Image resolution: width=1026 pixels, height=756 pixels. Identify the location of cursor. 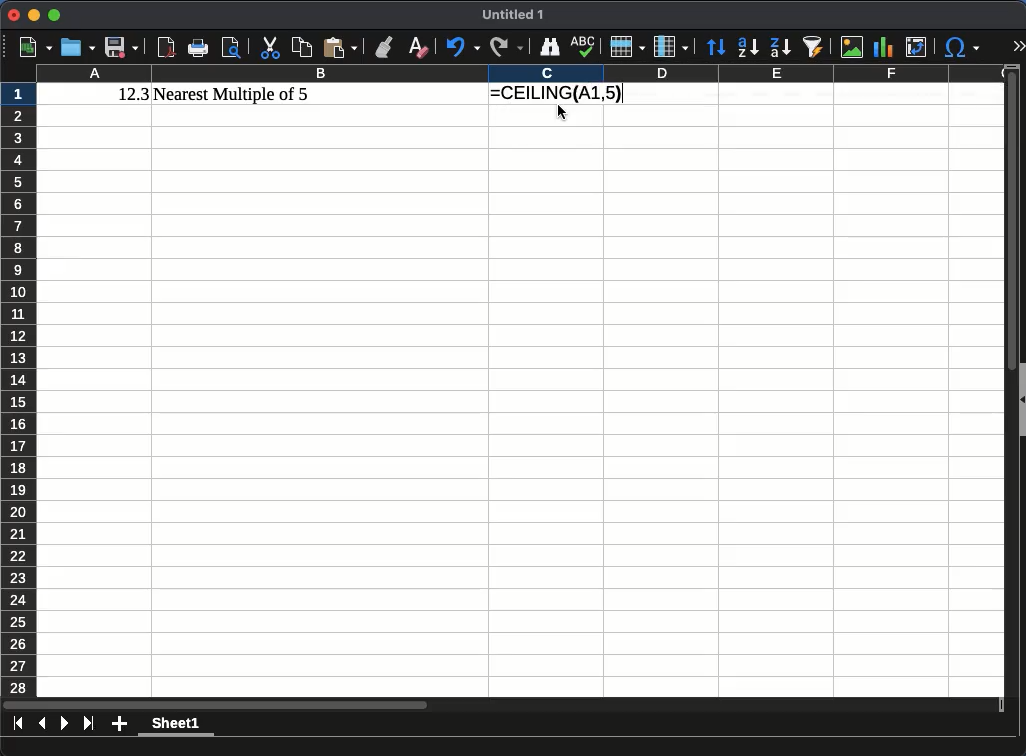
(562, 114).